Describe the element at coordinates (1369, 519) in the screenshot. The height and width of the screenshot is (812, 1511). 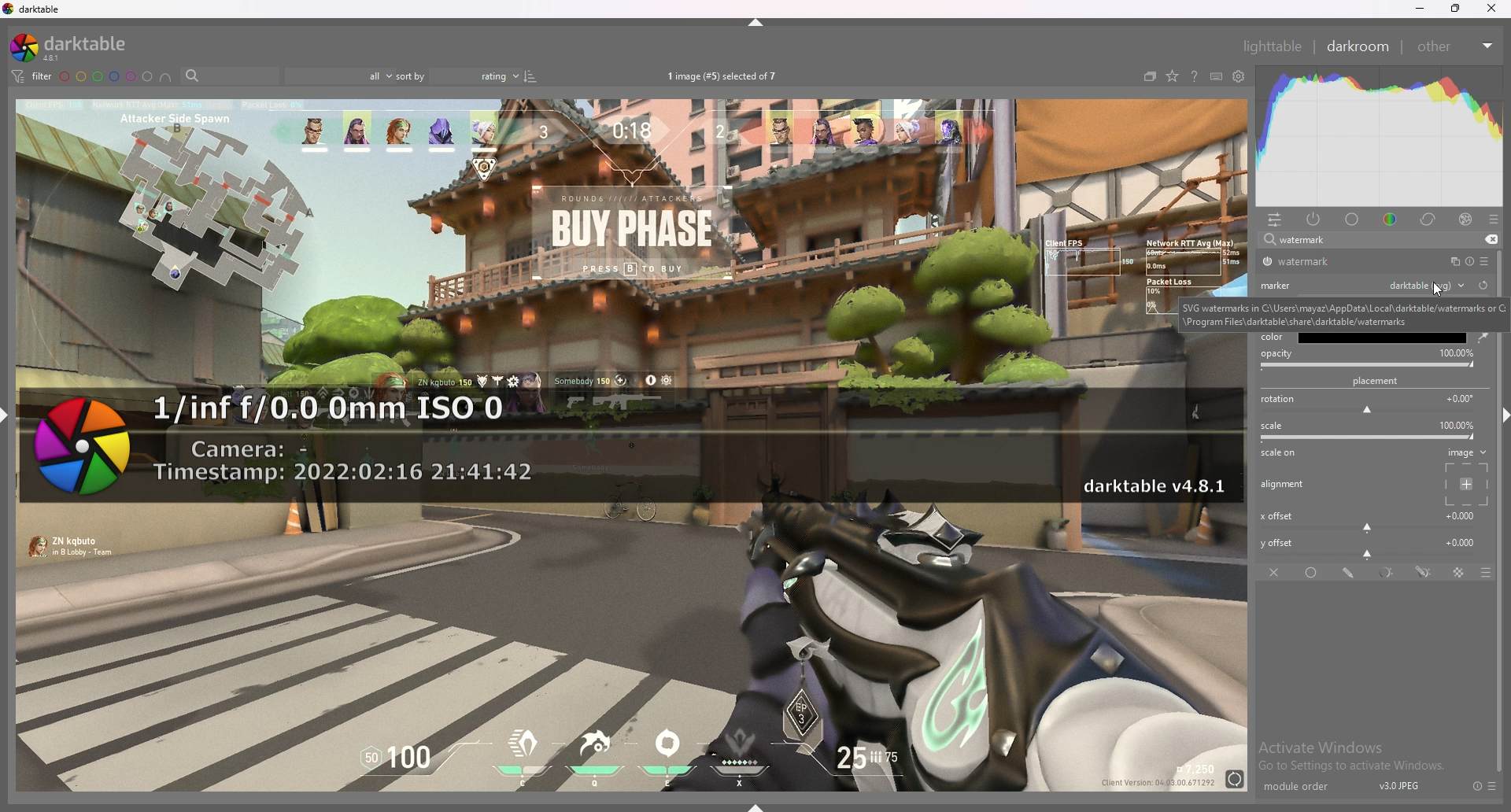
I see `xoffset` at that location.